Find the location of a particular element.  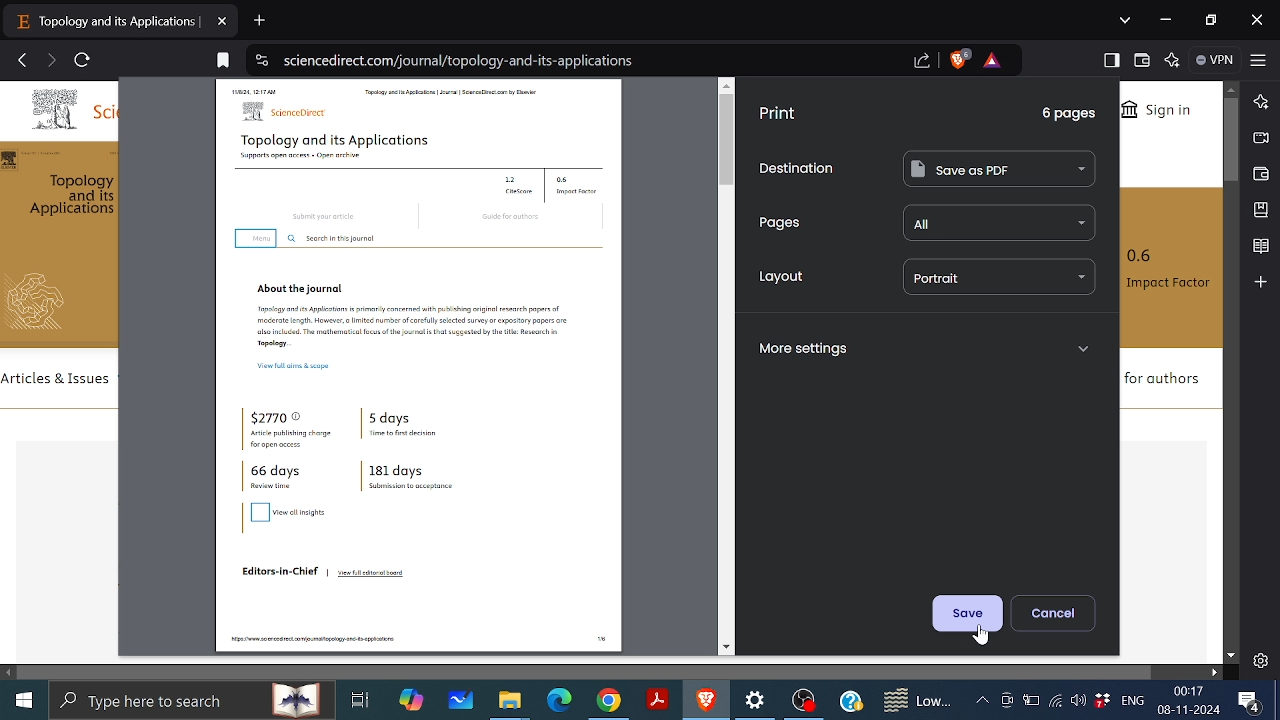

Wallet is located at coordinates (1260, 174).